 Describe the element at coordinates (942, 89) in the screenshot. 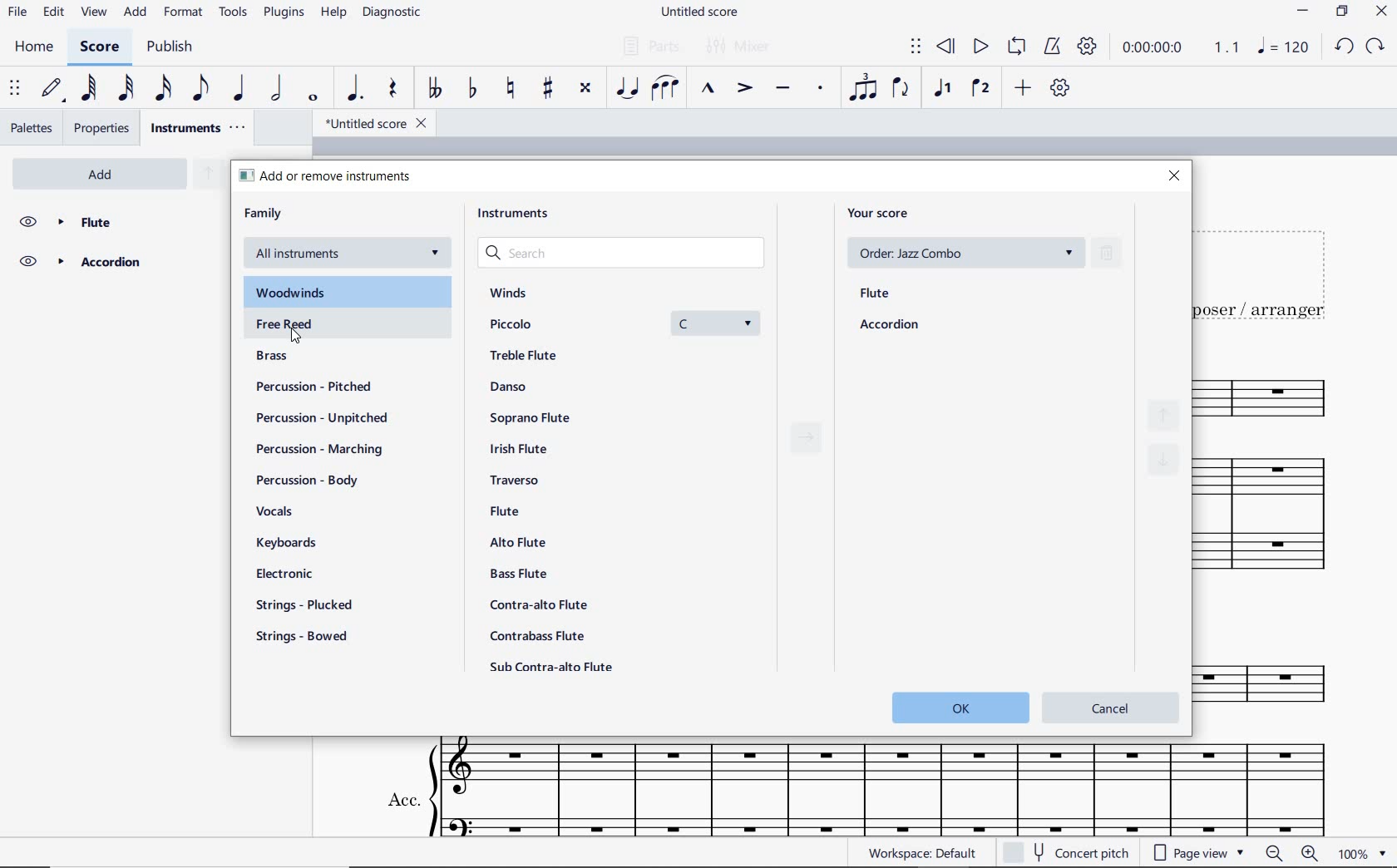

I see `voice1` at that location.